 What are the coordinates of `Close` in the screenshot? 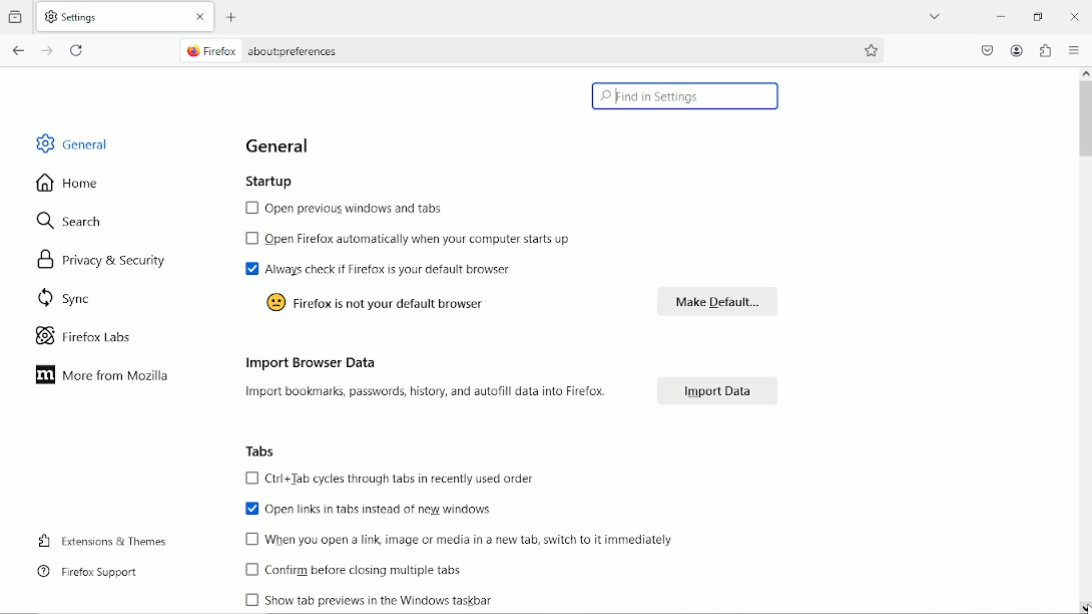 It's located at (201, 16).